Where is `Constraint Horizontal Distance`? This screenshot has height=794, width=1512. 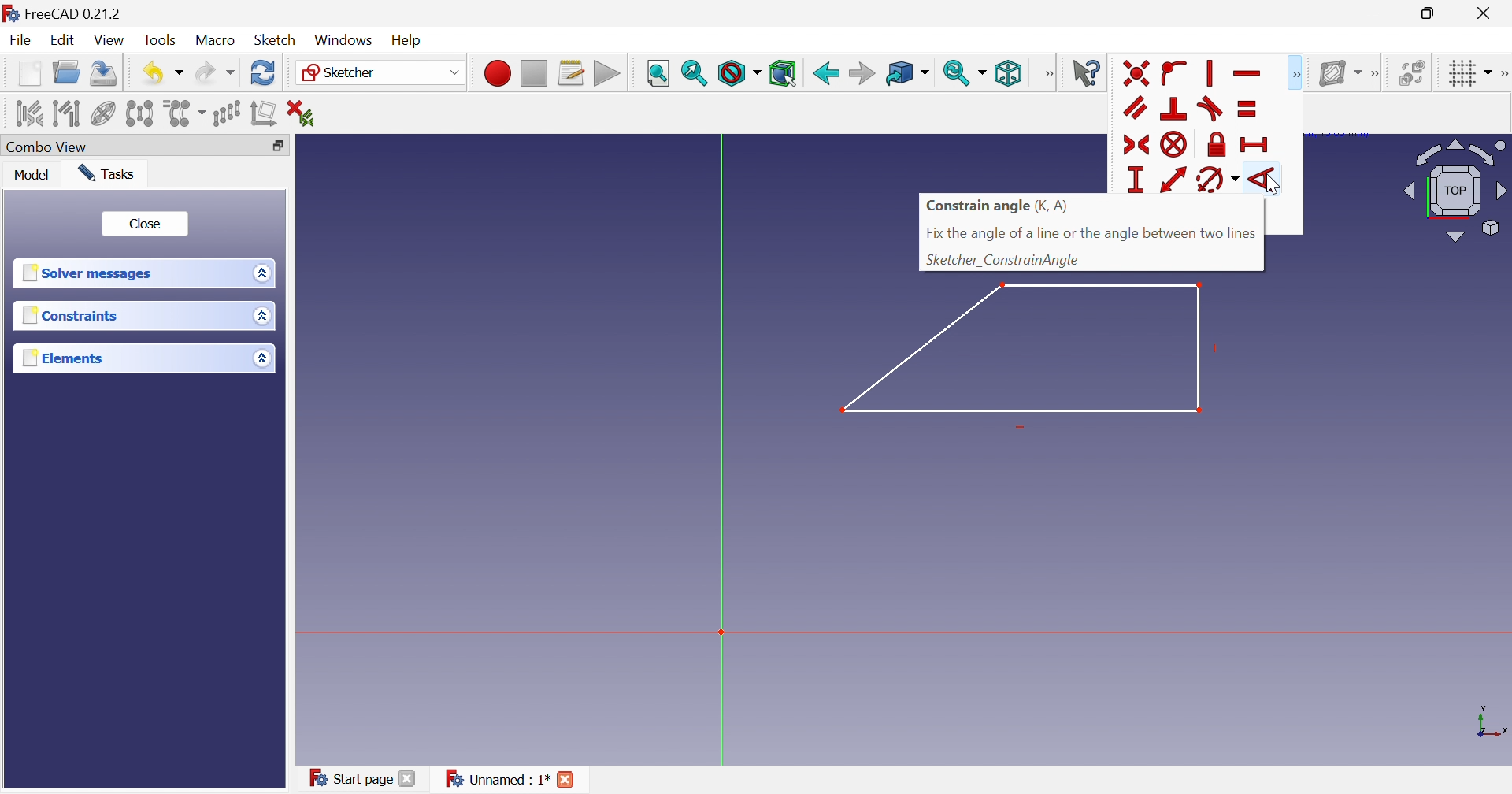 Constraint Horizontal Distance is located at coordinates (1254, 146).